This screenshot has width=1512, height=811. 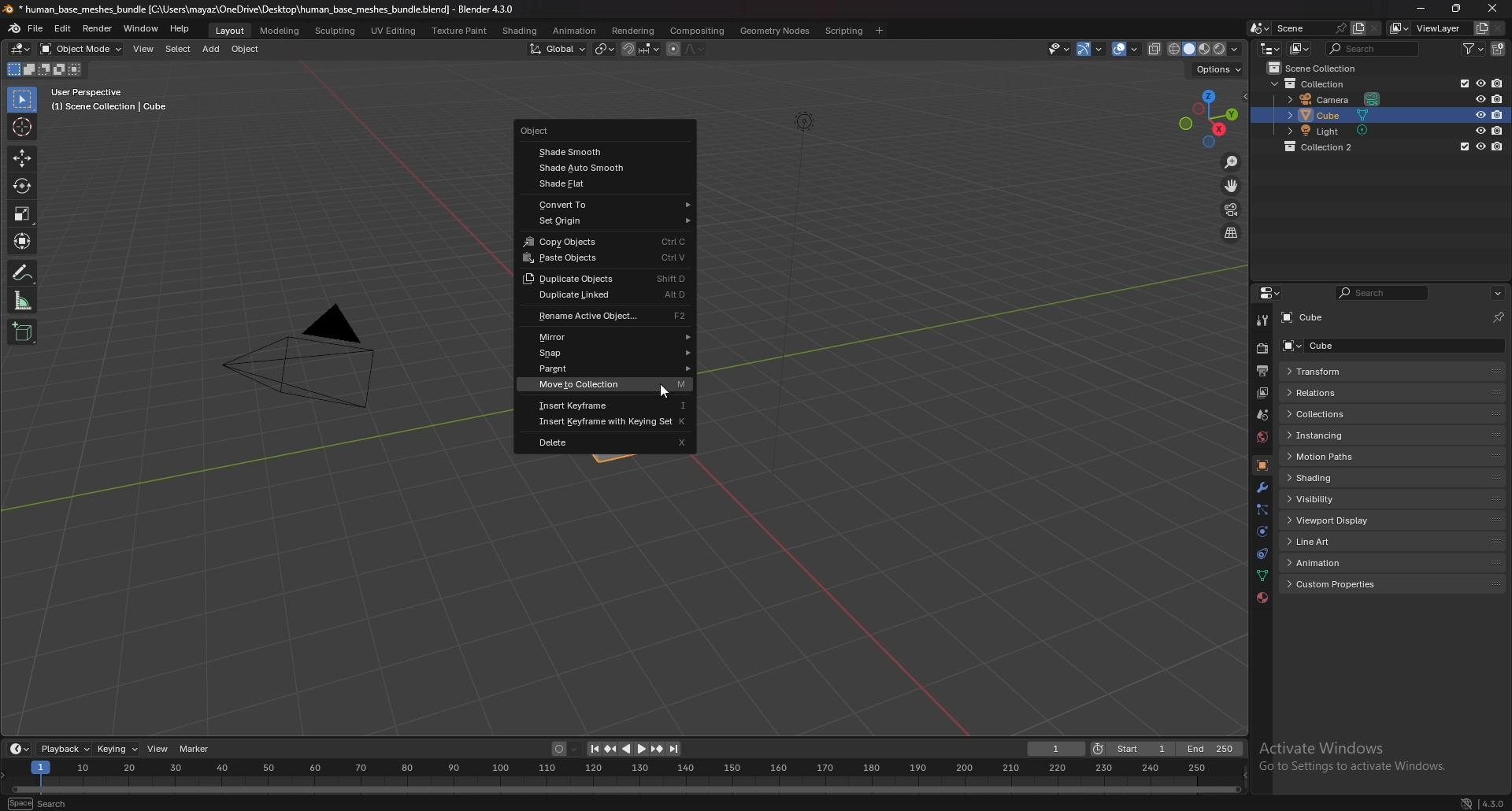 What do you see at coordinates (1260, 28) in the screenshot?
I see `browse scene` at bounding box center [1260, 28].